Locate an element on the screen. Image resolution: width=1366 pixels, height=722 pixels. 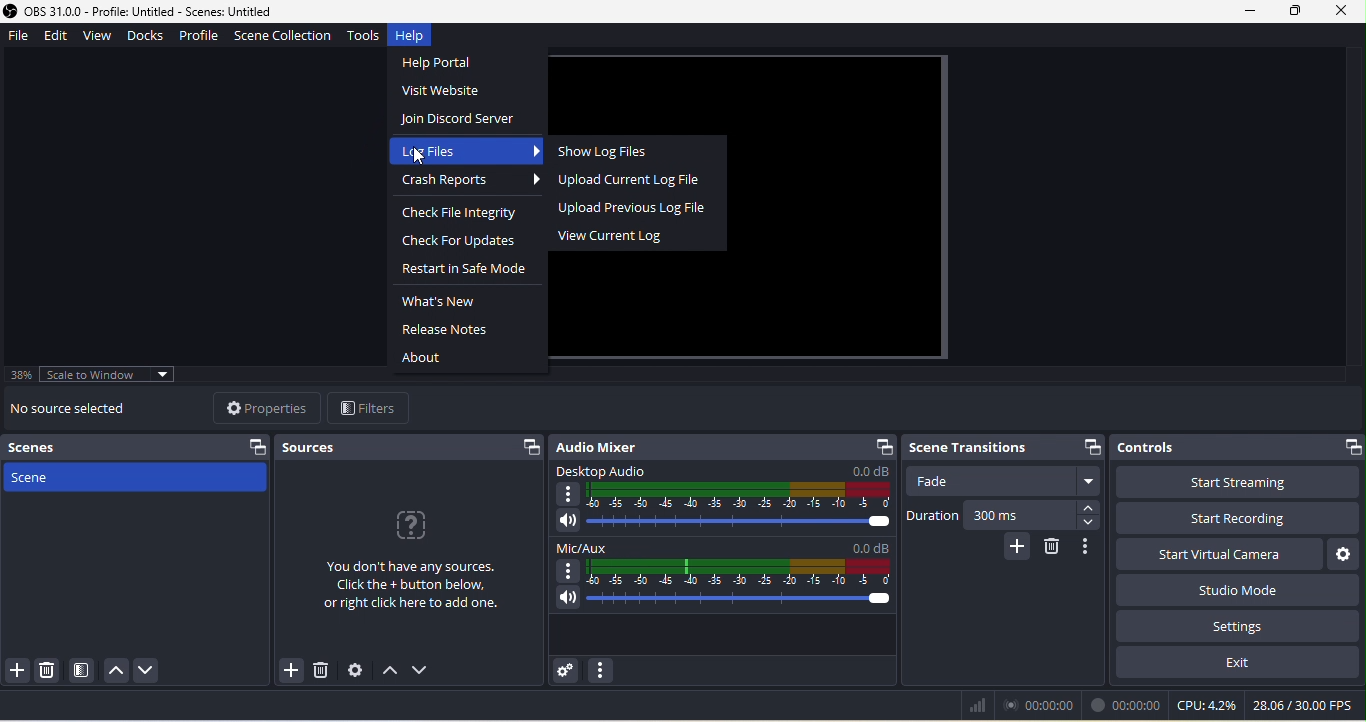
what's new is located at coordinates (439, 303).